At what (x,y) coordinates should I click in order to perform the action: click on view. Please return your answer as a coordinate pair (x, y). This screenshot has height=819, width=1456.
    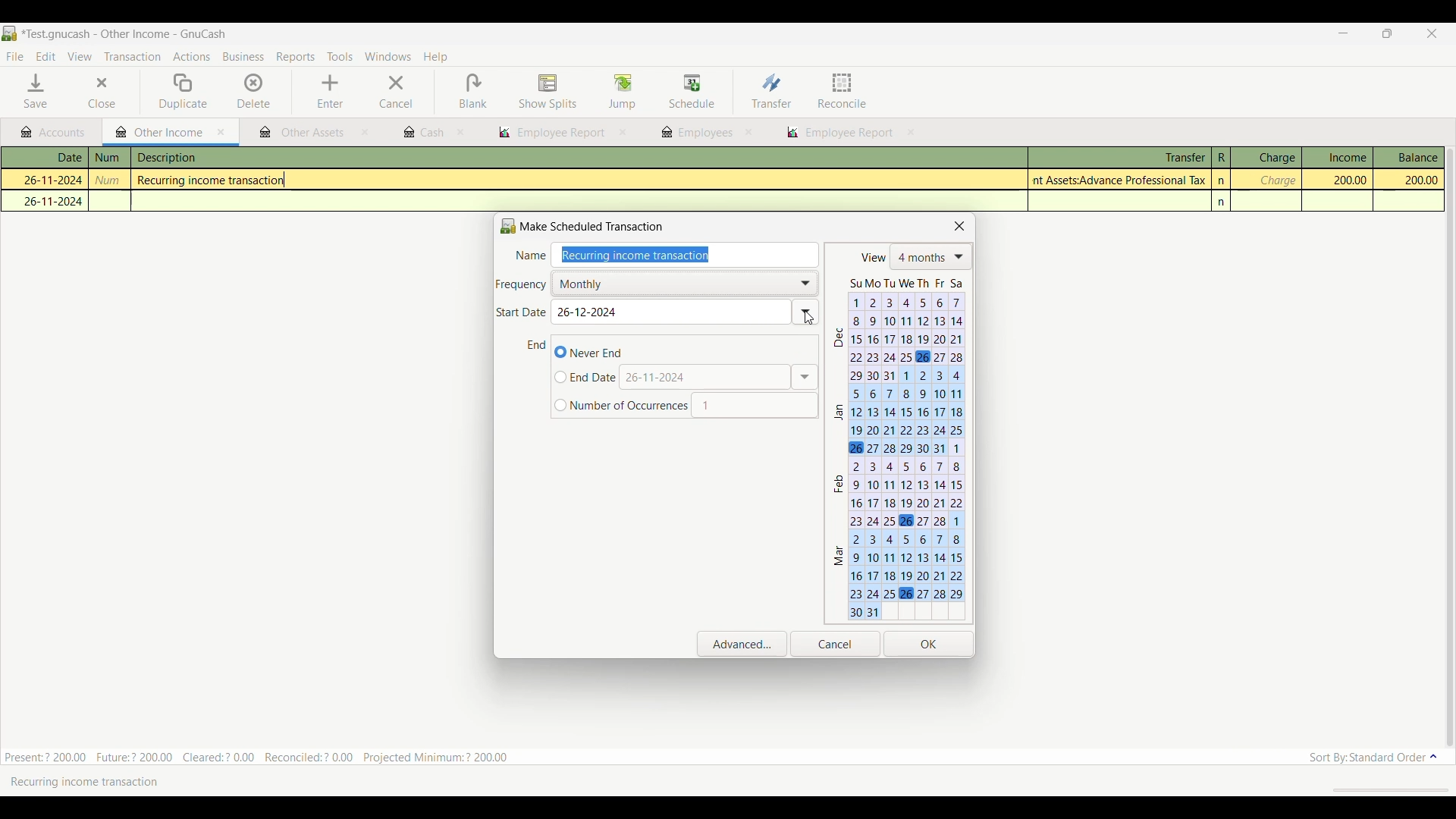
    Looking at the image, I should click on (871, 258).